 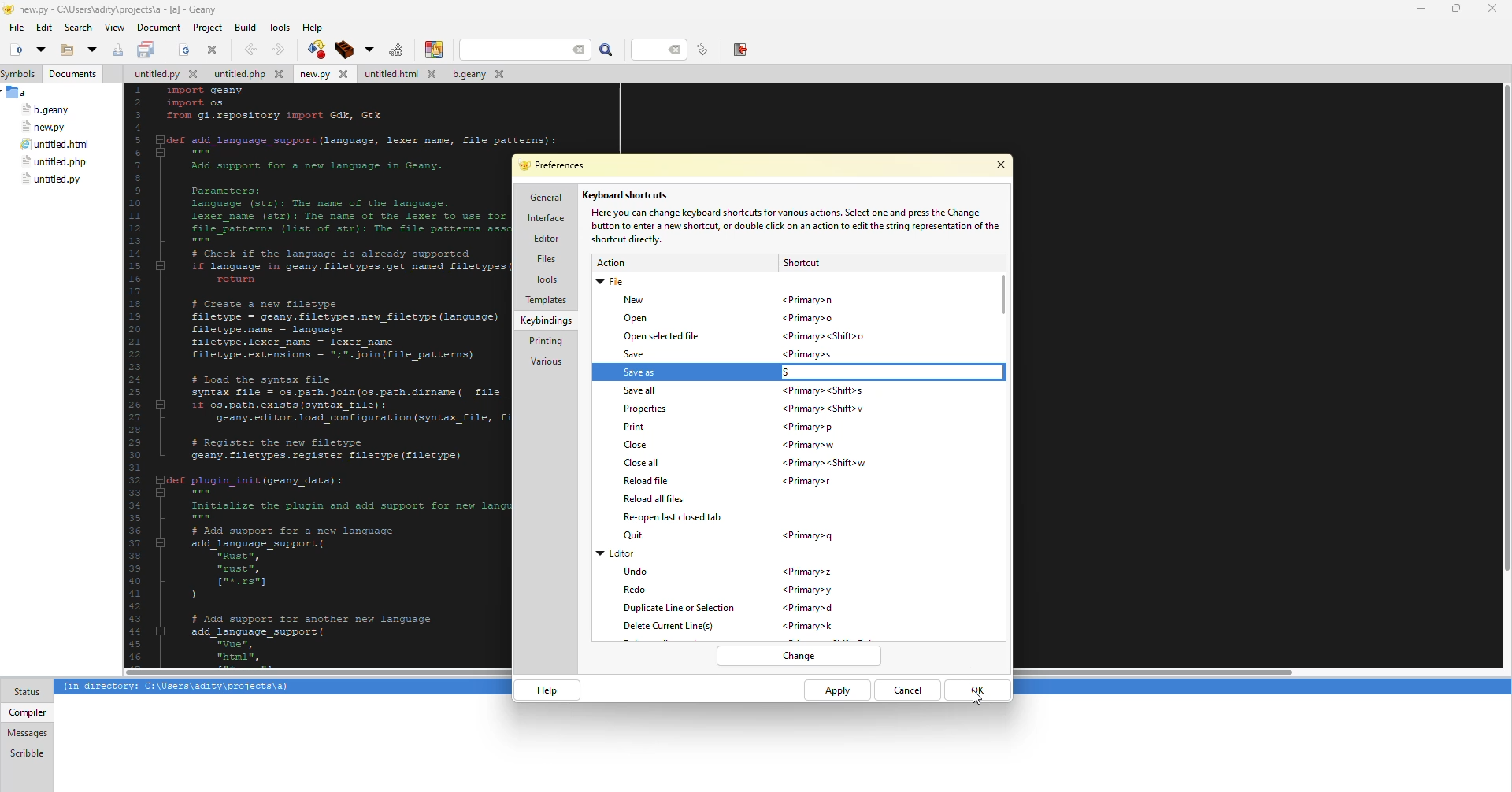 I want to click on close, so click(x=213, y=50).